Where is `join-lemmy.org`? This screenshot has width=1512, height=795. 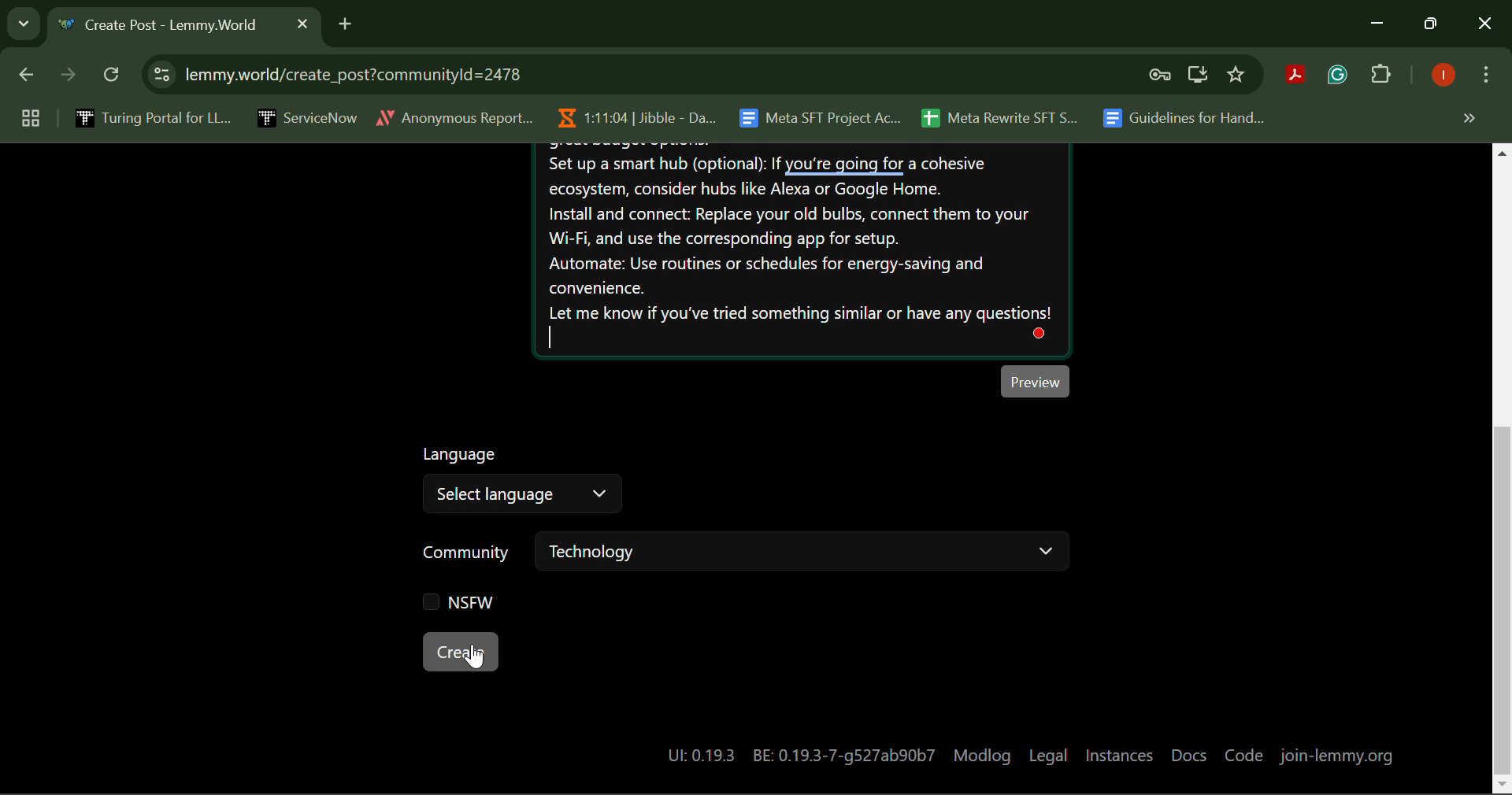
join-lemmy.org is located at coordinates (1336, 755).